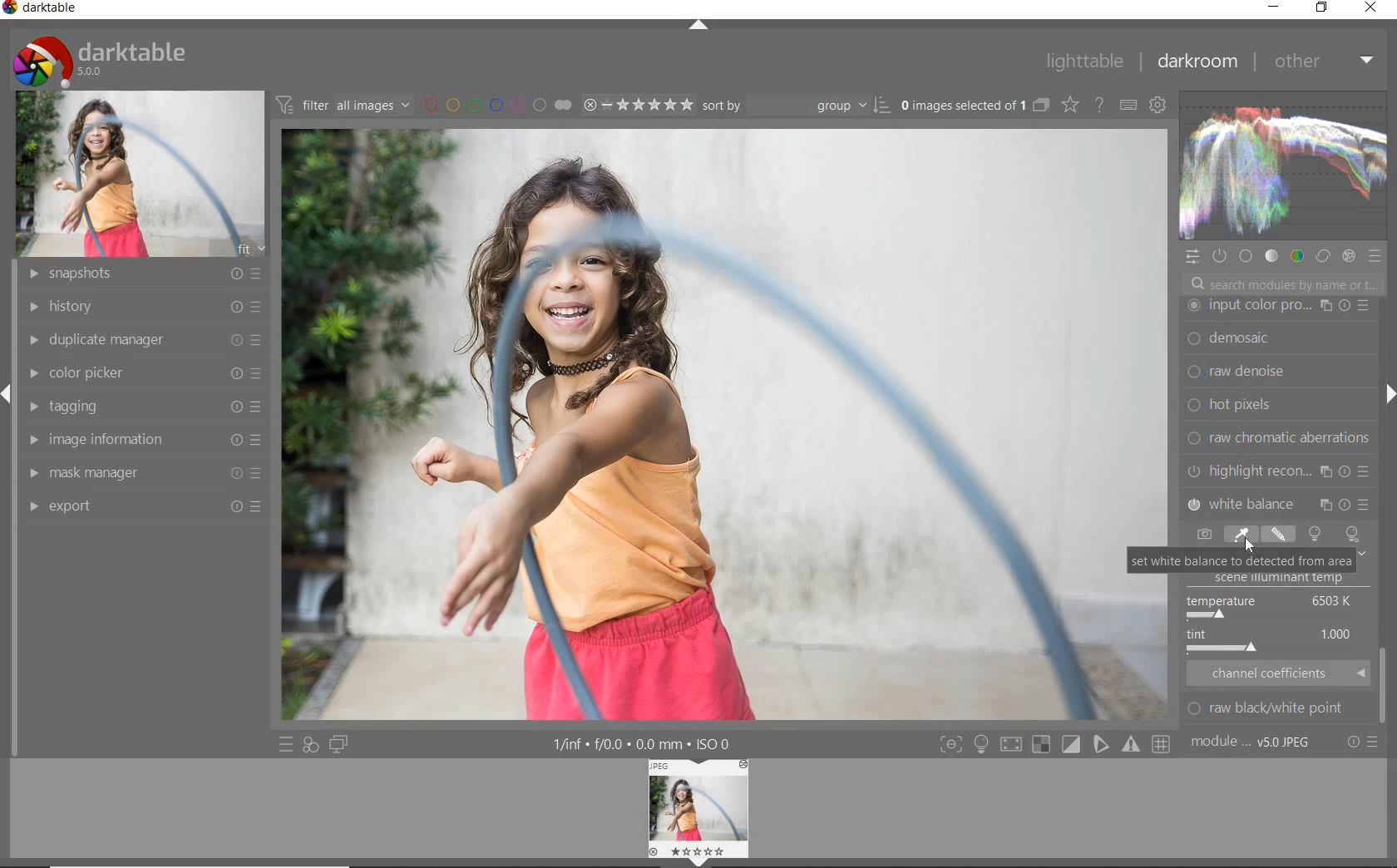 This screenshot has height=868, width=1397. Describe the element at coordinates (1348, 255) in the screenshot. I see `effect` at that location.